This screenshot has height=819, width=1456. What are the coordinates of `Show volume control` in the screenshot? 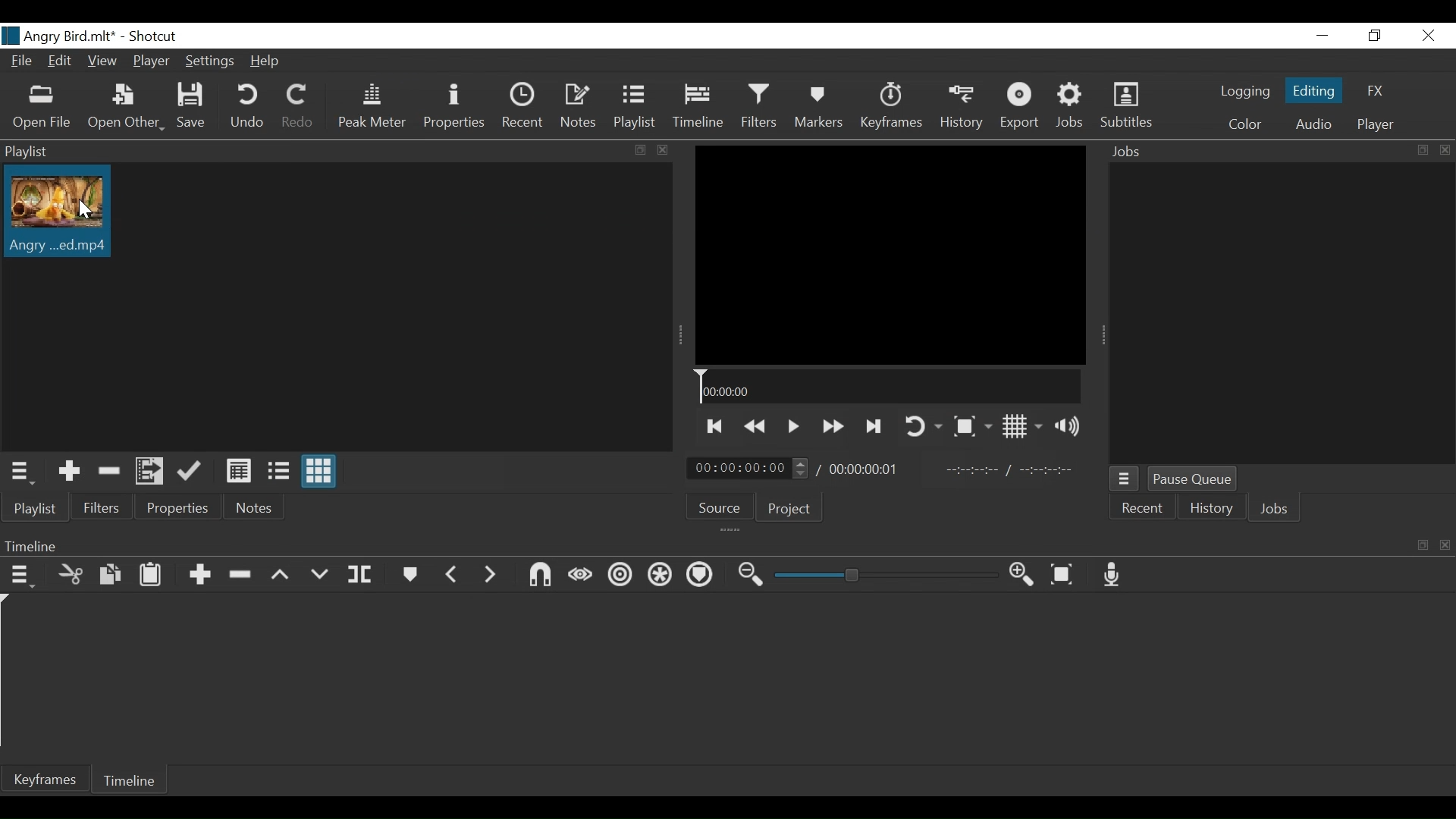 It's located at (1068, 425).